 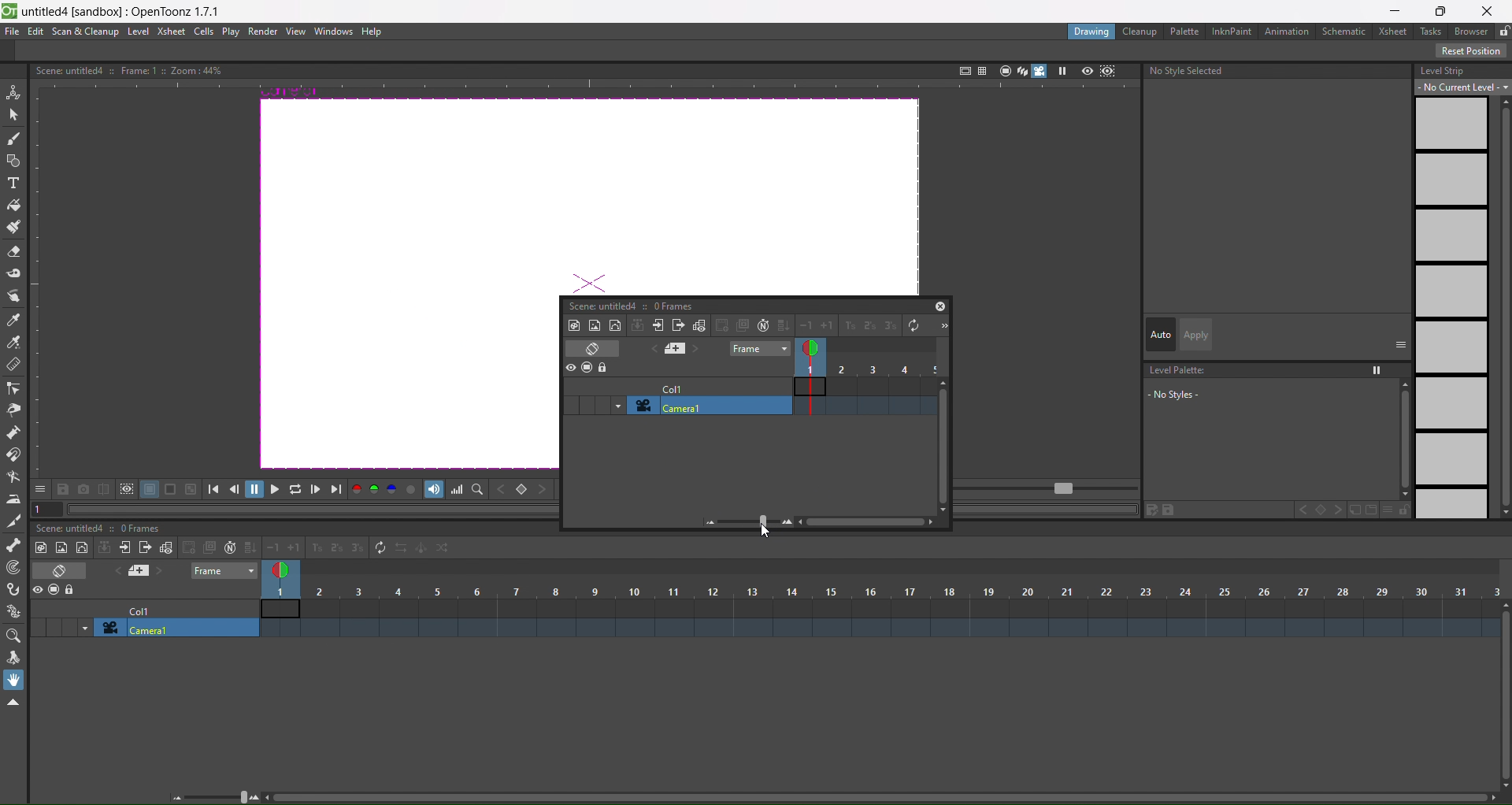 What do you see at coordinates (522, 491) in the screenshot?
I see `locator` at bounding box center [522, 491].